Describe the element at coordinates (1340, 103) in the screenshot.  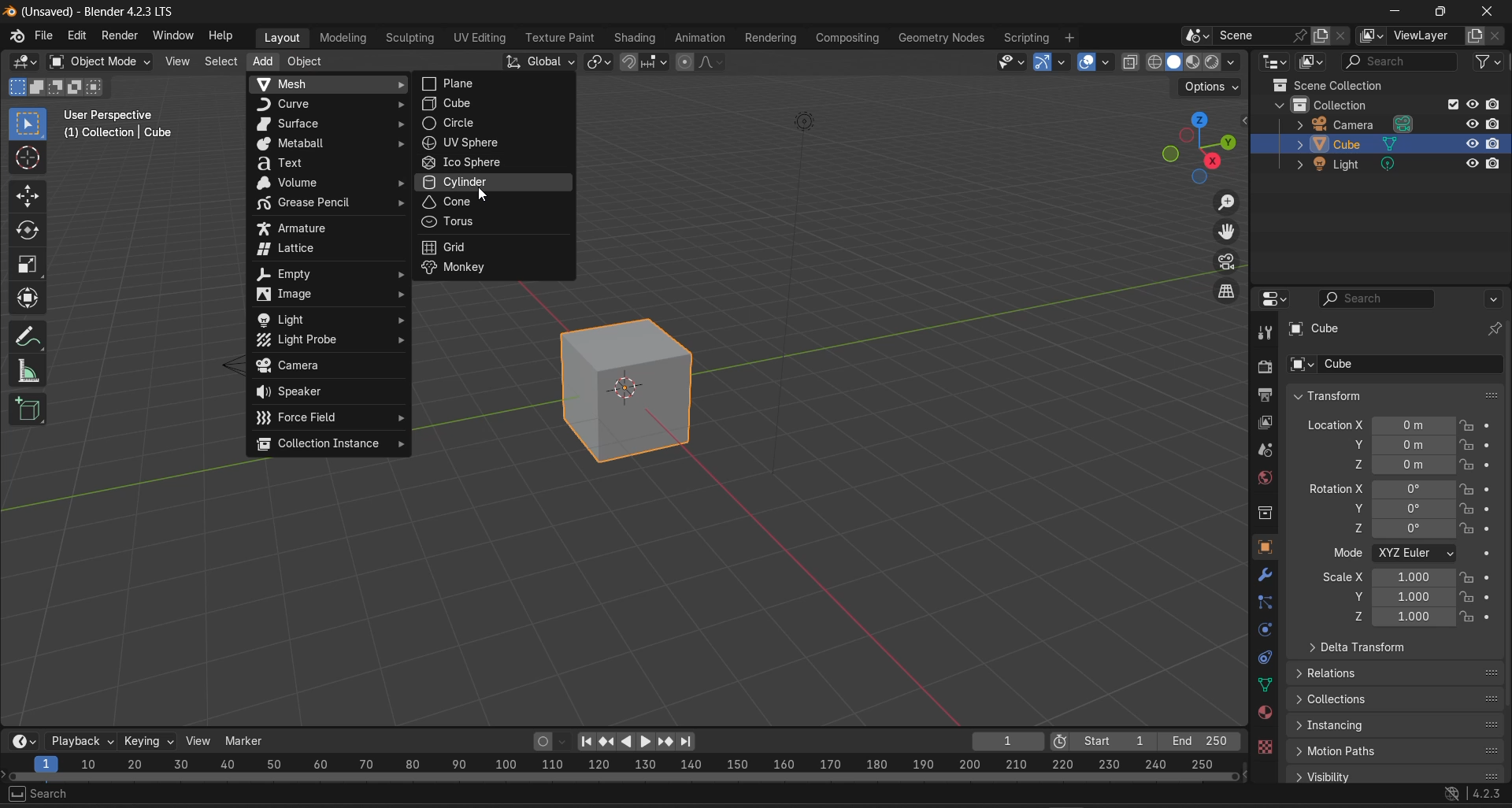
I see `collection` at that location.